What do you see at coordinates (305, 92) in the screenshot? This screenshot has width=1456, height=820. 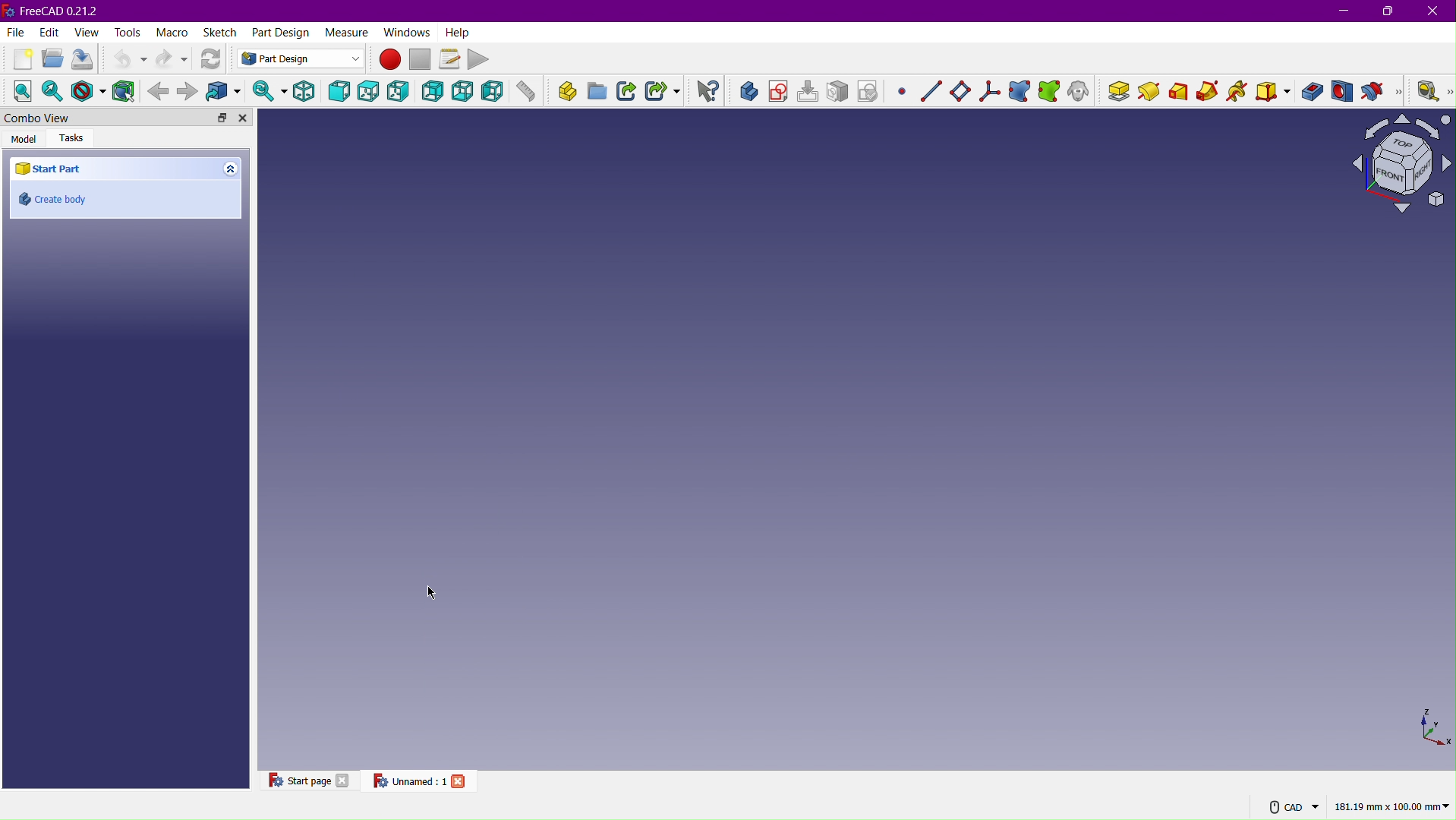 I see `Isometric` at bounding box center [305, 92].